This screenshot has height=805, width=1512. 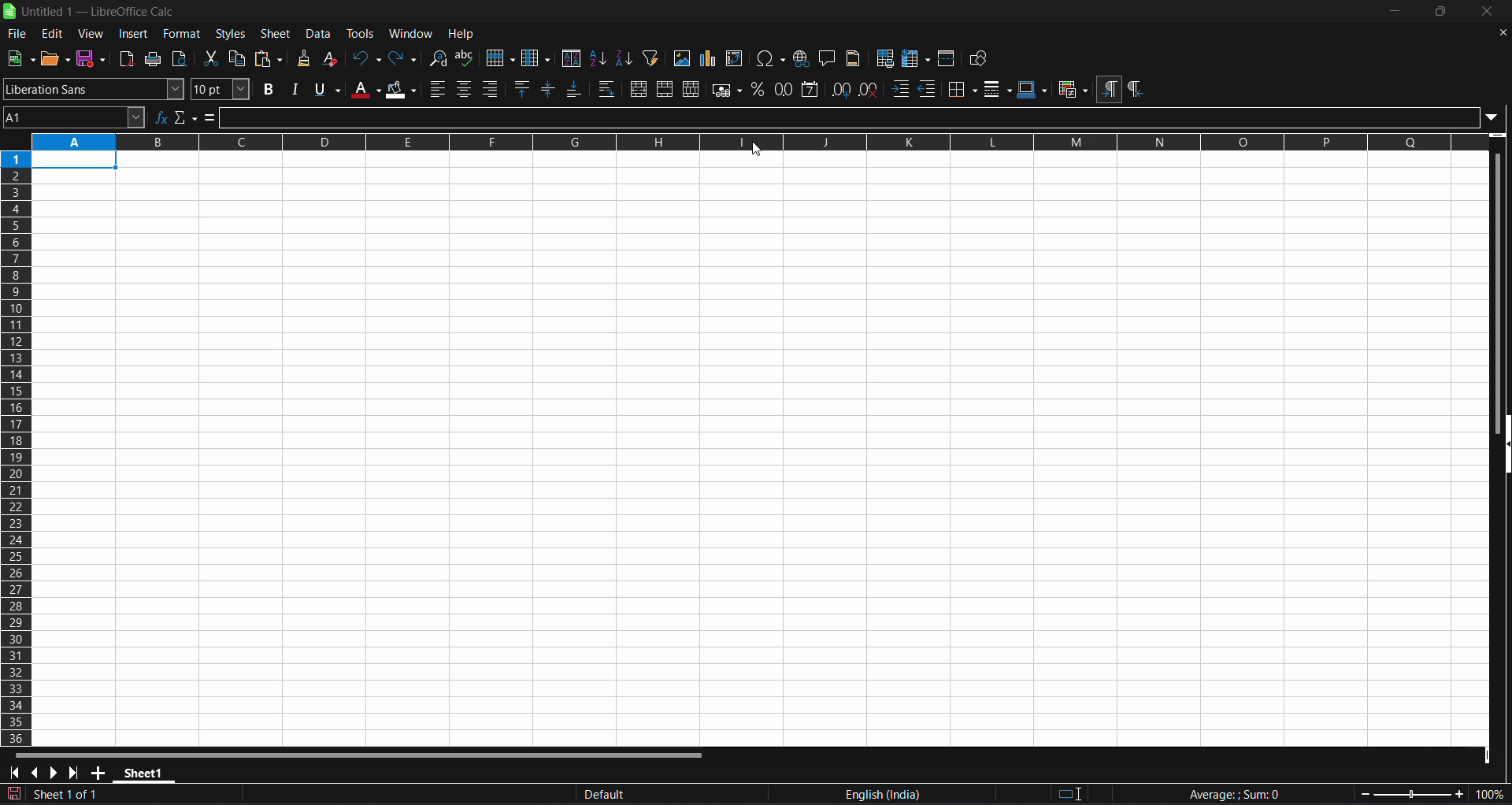 What do you see at coordinates (94, 34) in the screenshot?
I see `view` at bounding box center [94, 34].